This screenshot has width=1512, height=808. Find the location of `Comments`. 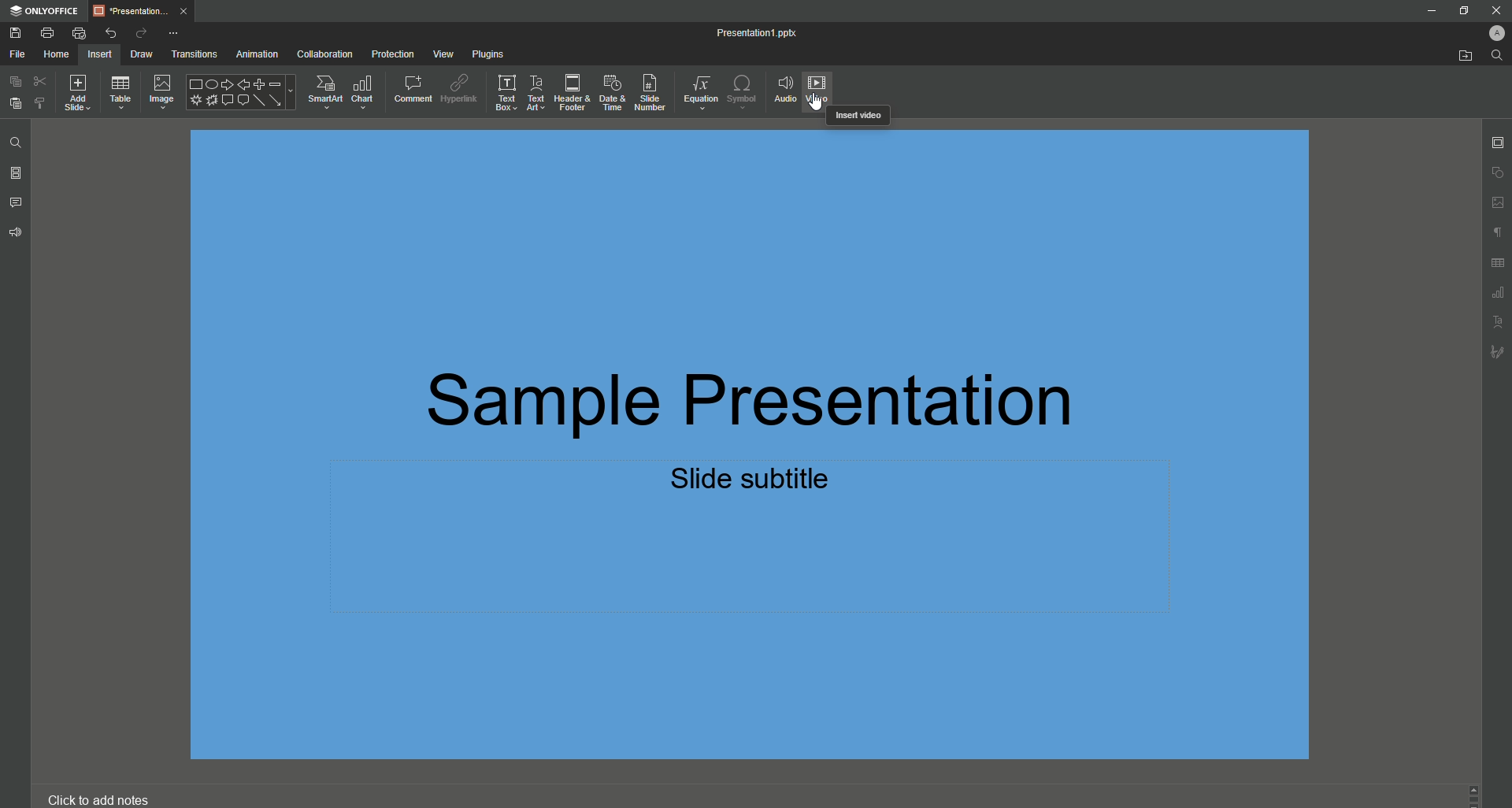

Comments is located at coordinates (17, 201).